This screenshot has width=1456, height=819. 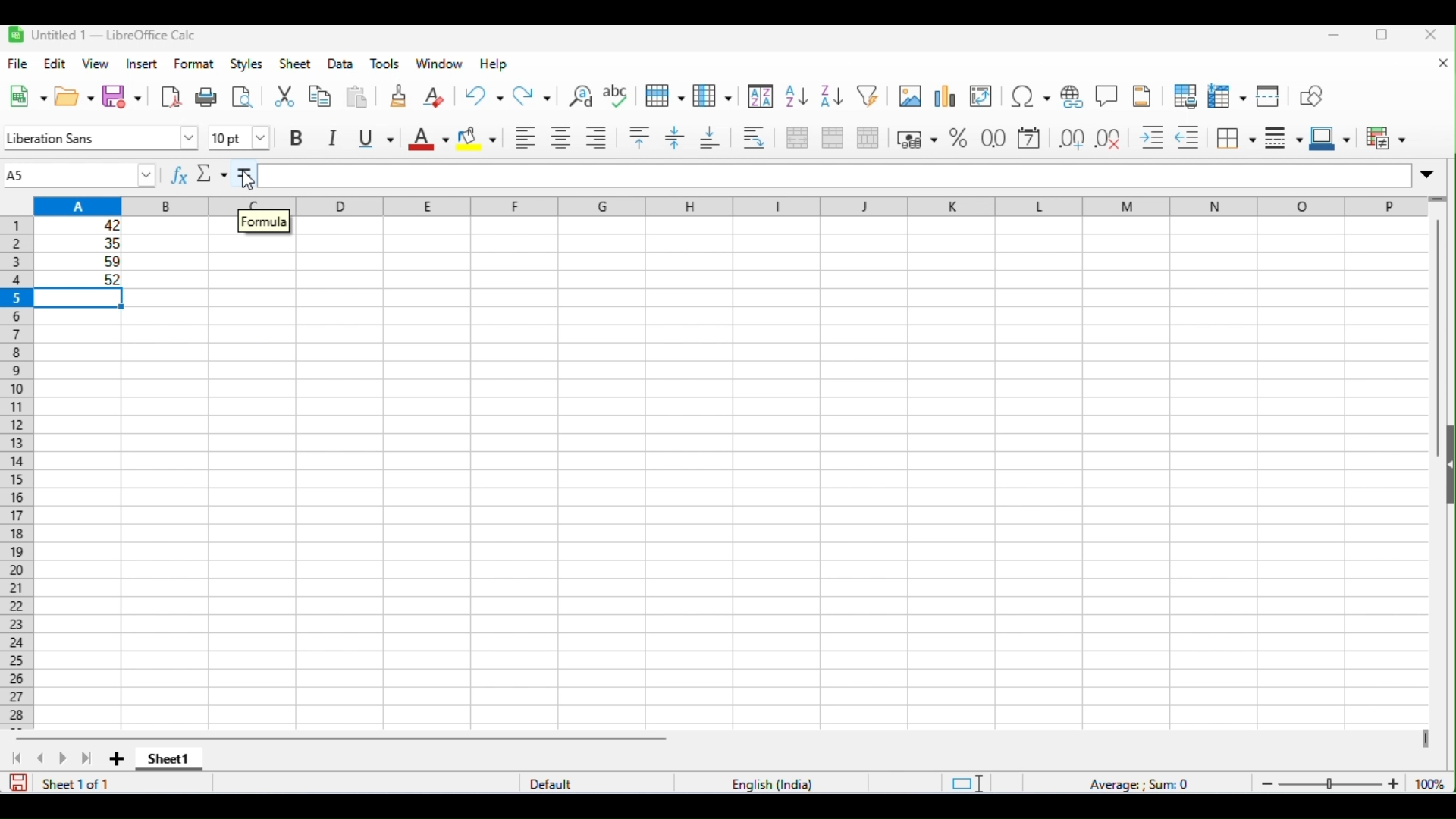 I want to click on formula bar, so click(x=837, y=175).